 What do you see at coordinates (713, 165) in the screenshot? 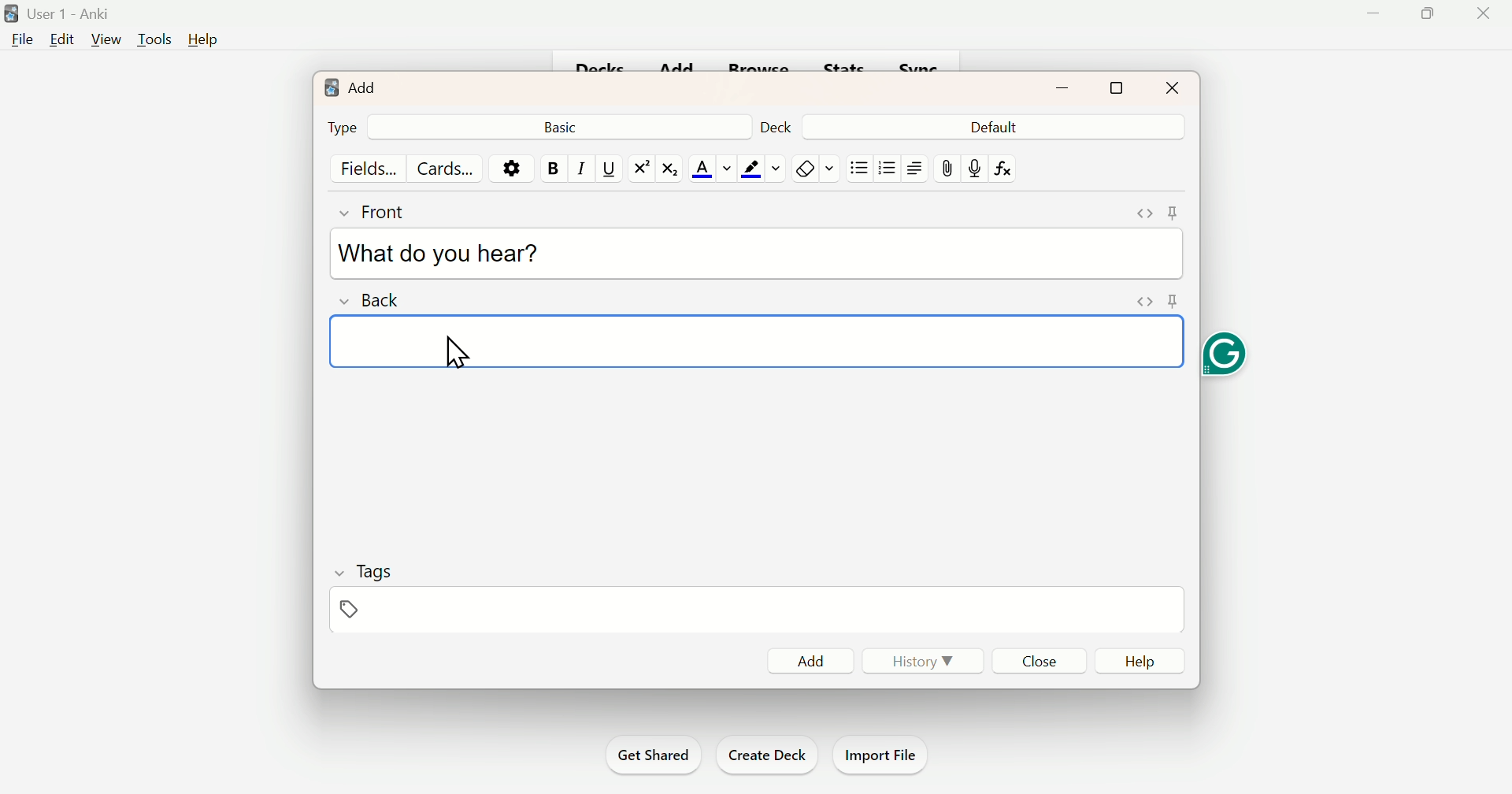
I see `Text Color` at bounding box center [713, 165].